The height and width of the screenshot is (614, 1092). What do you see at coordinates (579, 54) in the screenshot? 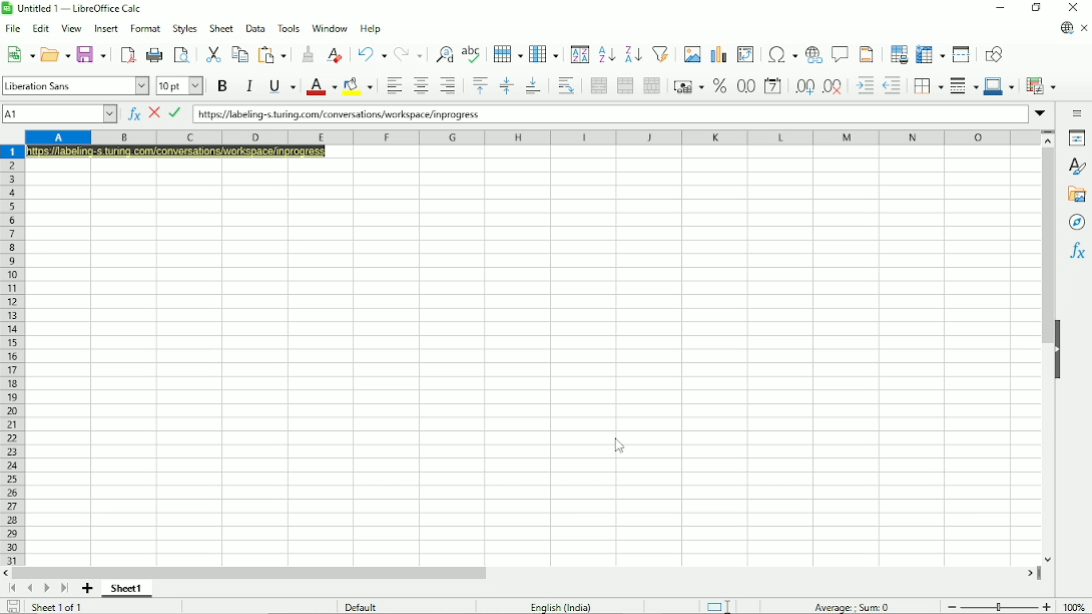
I see `Sort` at bounding box center [579, 54].